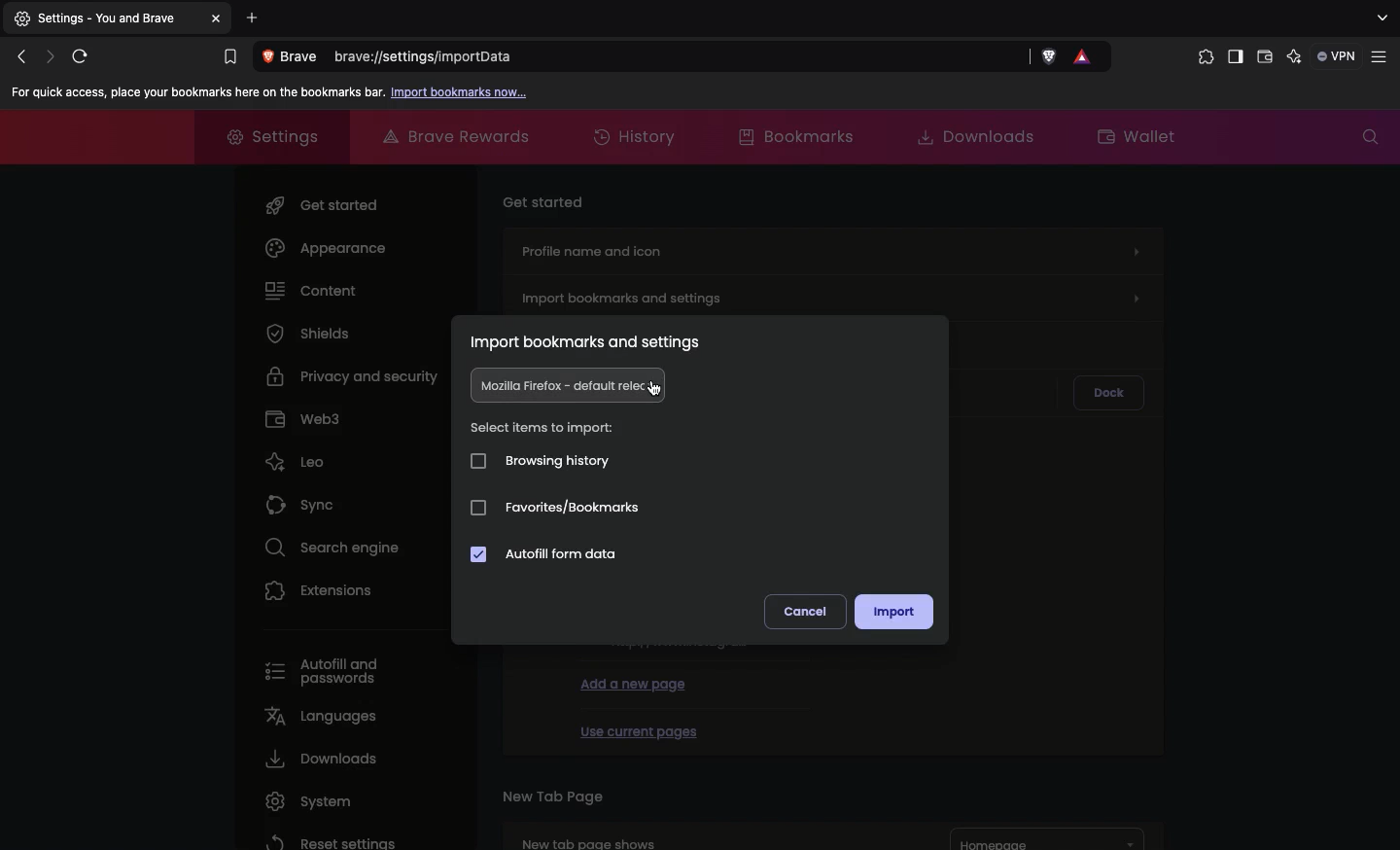  What do you see at coordinates (253, 18) in the screenshot?
I see `Add new tab` at bounding box center [253, 18].